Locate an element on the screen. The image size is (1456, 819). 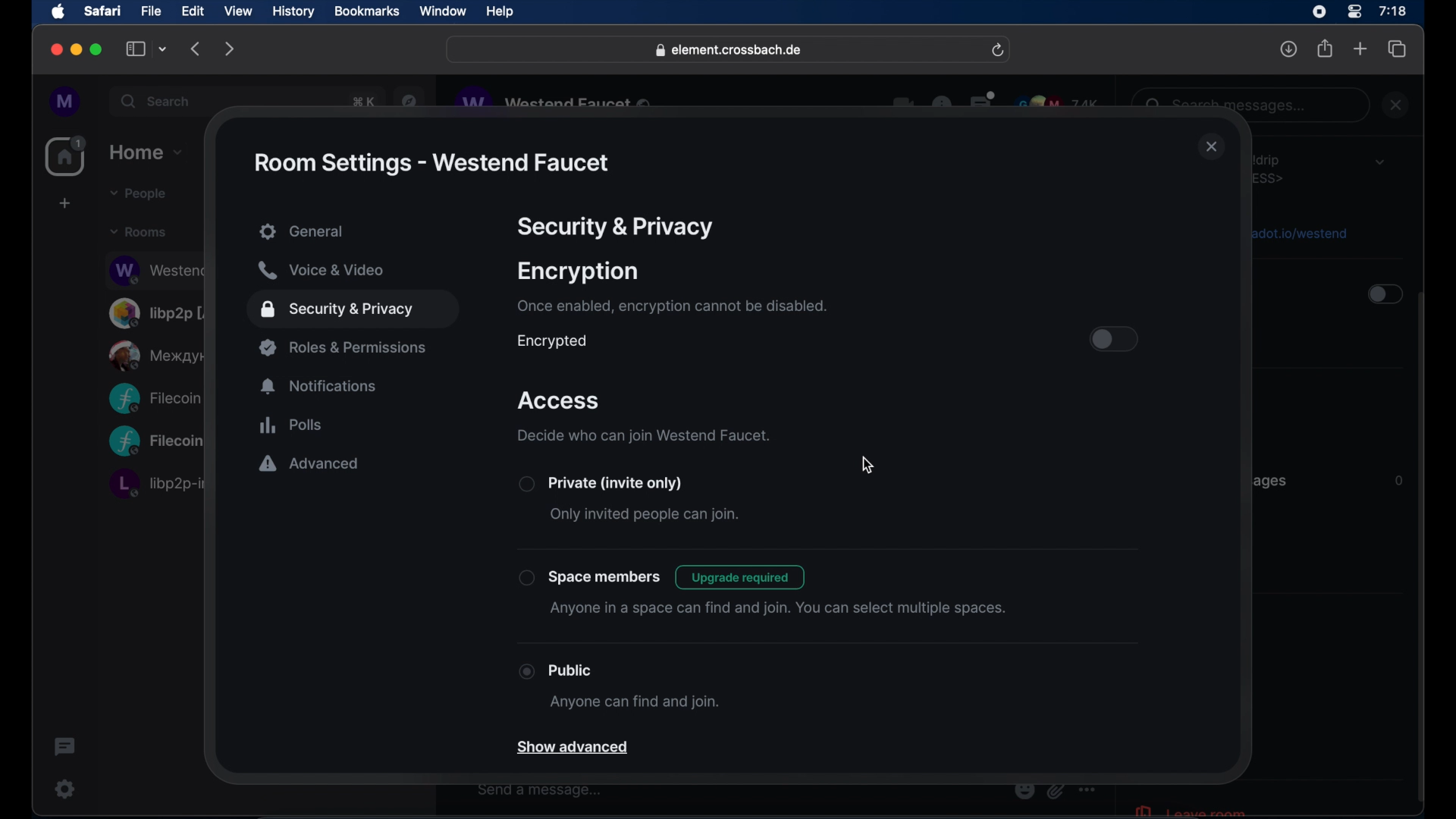
safari is located at coordinates (102, 11).